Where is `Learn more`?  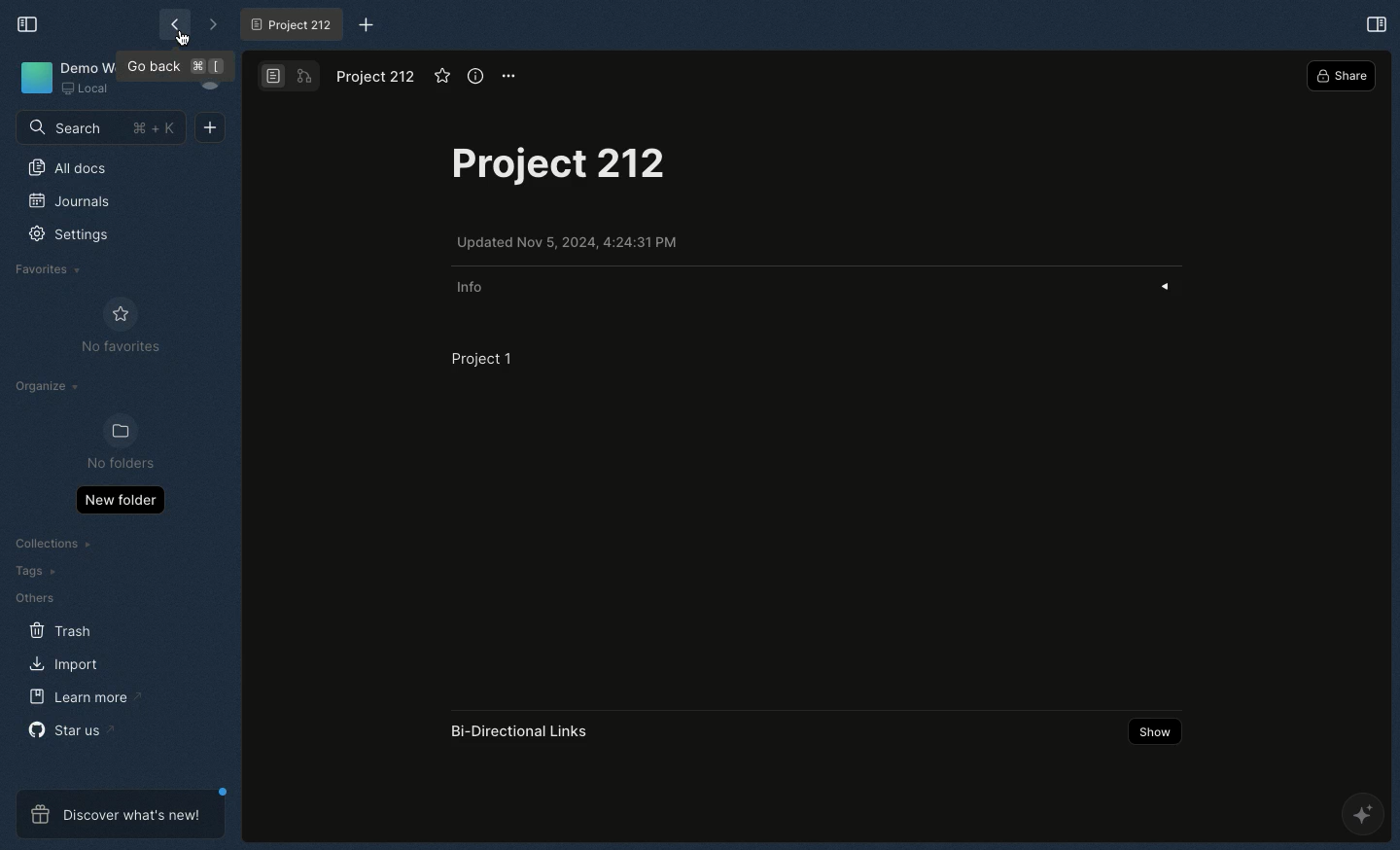 Learn more is located at coordinates (85, 697).